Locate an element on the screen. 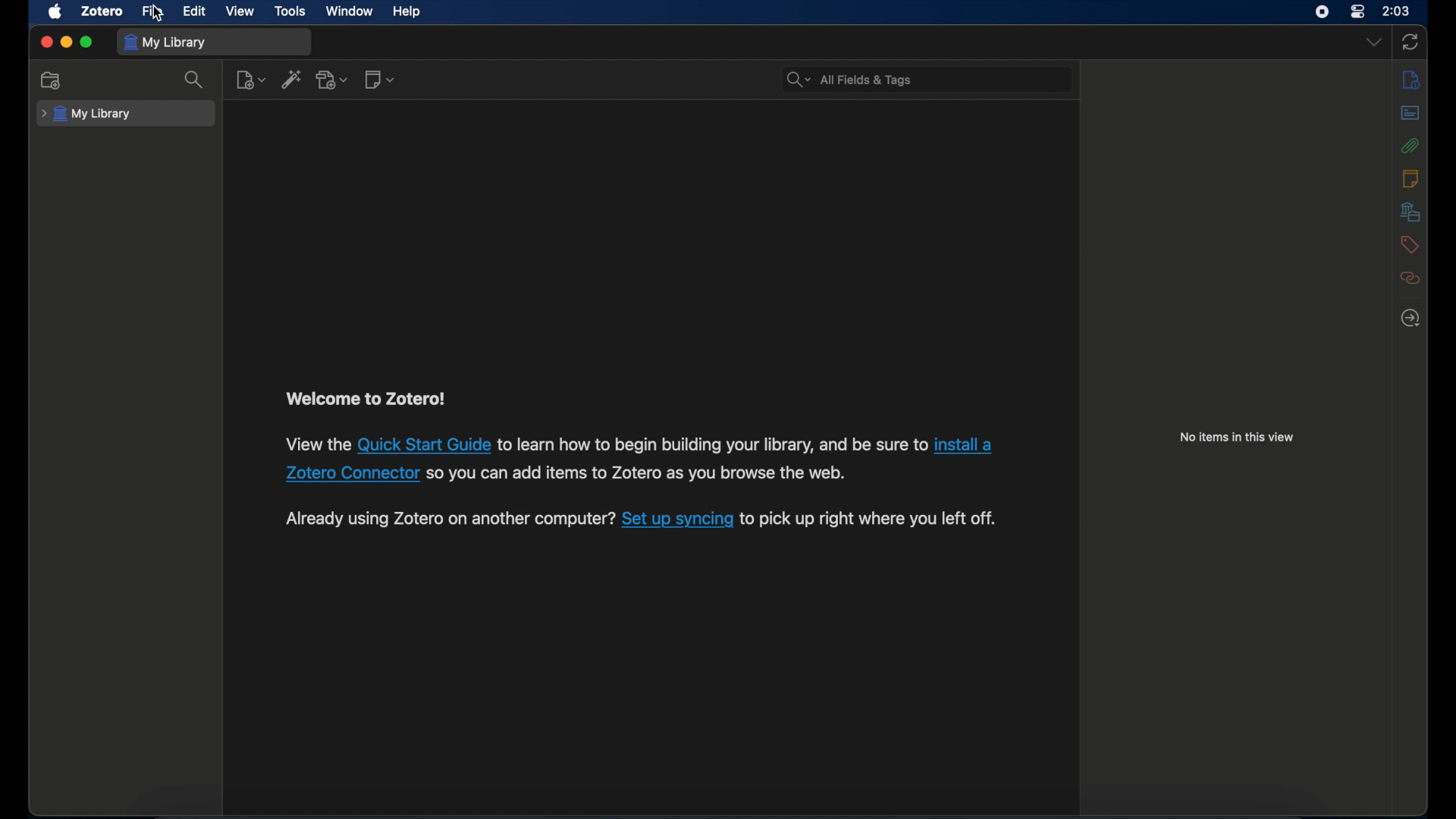 Image resolution: width=1456 pixels, height=819 pixels. locate is located at coordinates (1410, 318).